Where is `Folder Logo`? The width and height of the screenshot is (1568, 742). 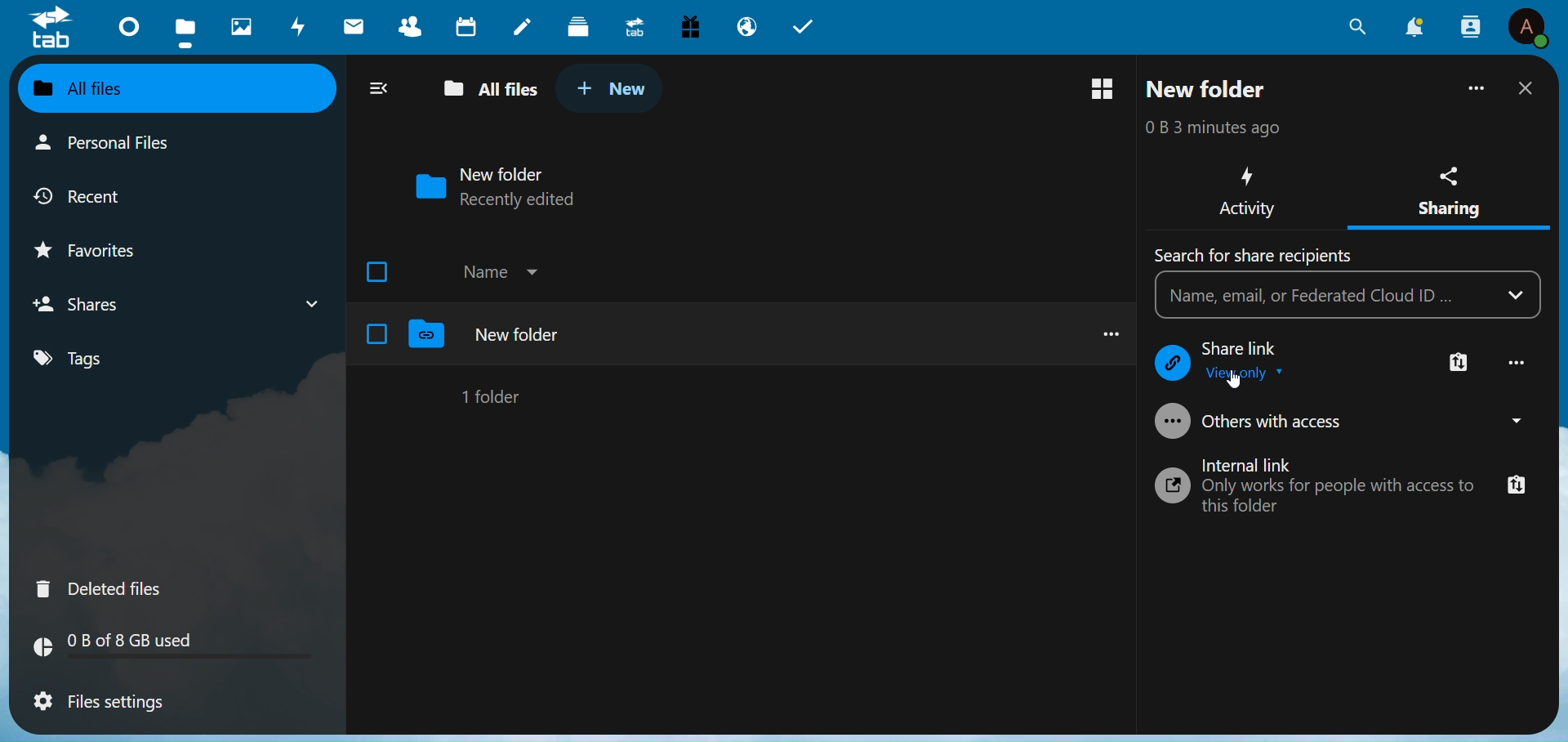
Folder Logo is located at coordinates (428, 335).